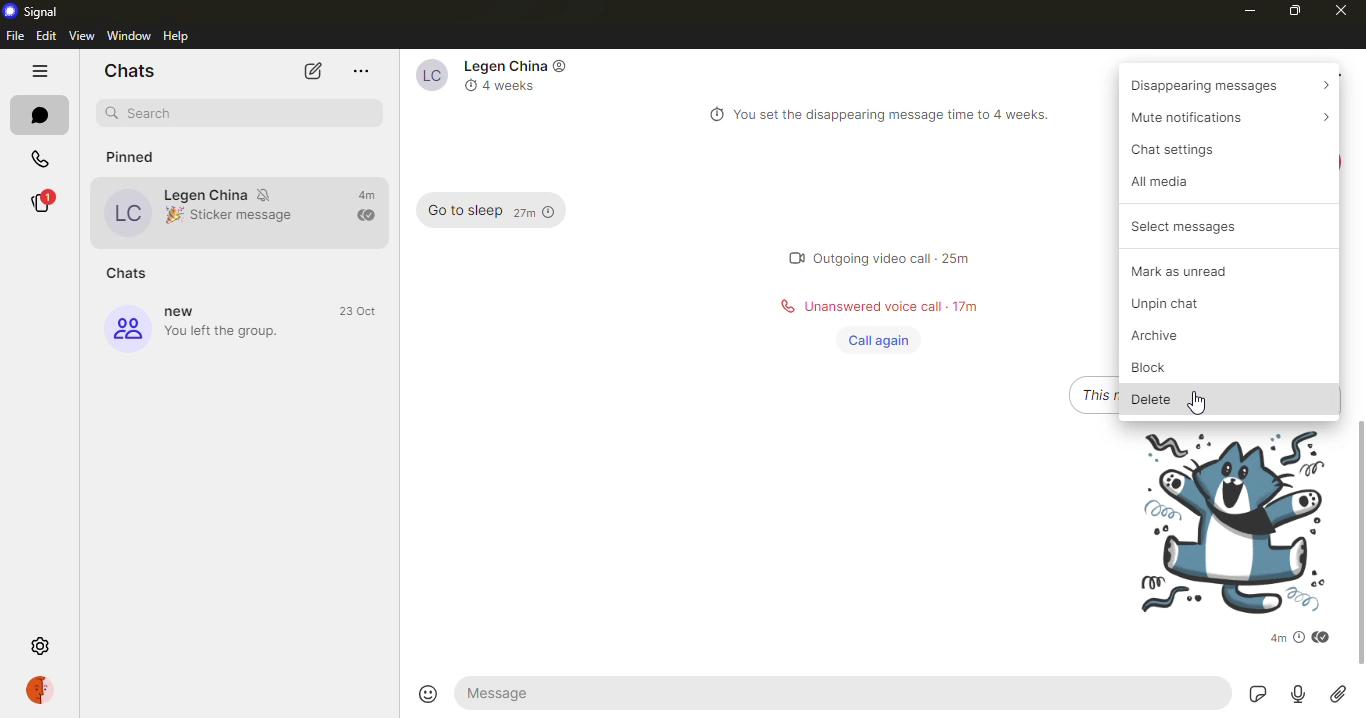  What do you see at coordinates (965, 305) in the screenshot?
I see `time` at bounding box center [965, 305].